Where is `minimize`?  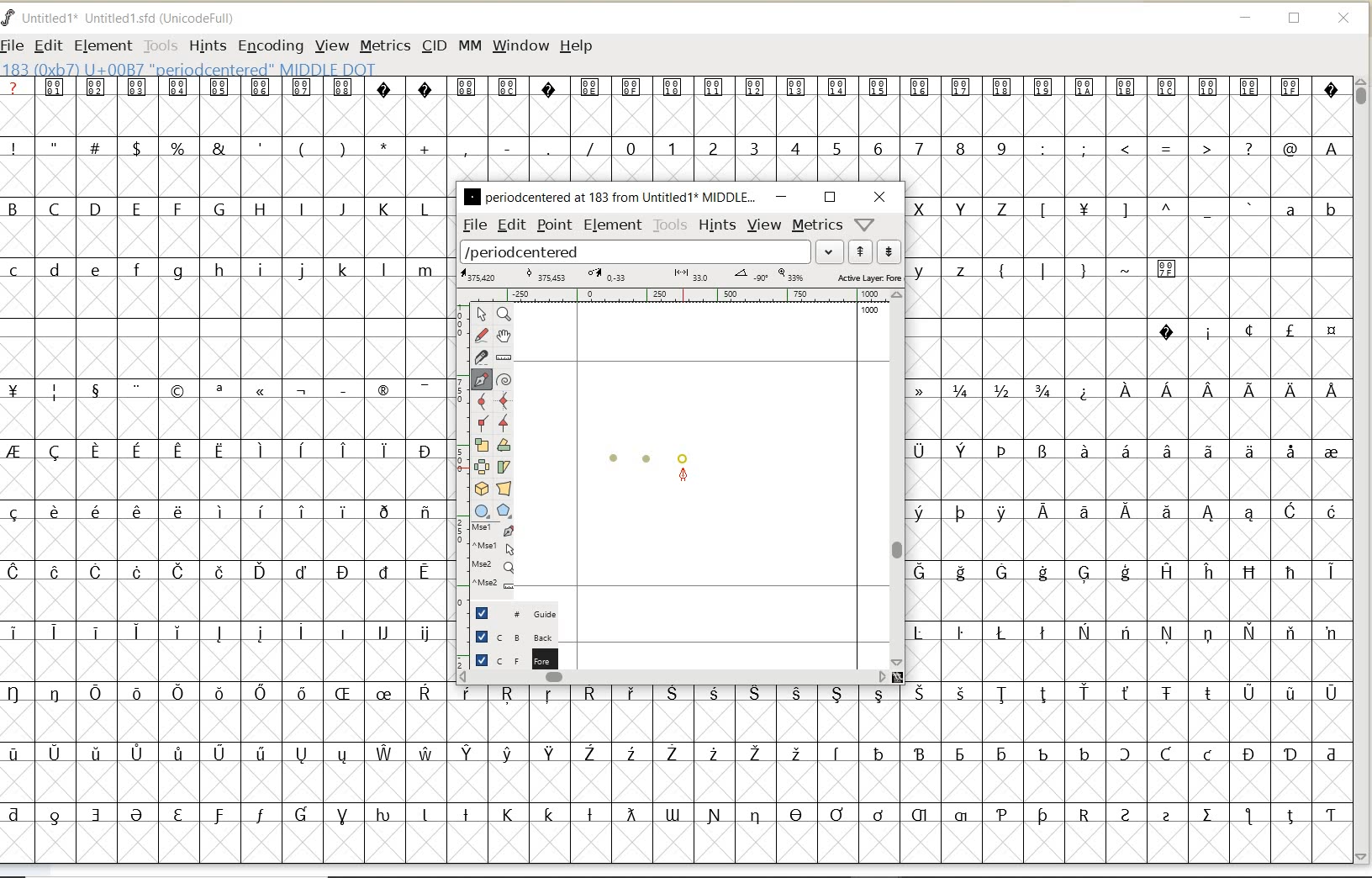 minimize is located at coordinates (781, 197).